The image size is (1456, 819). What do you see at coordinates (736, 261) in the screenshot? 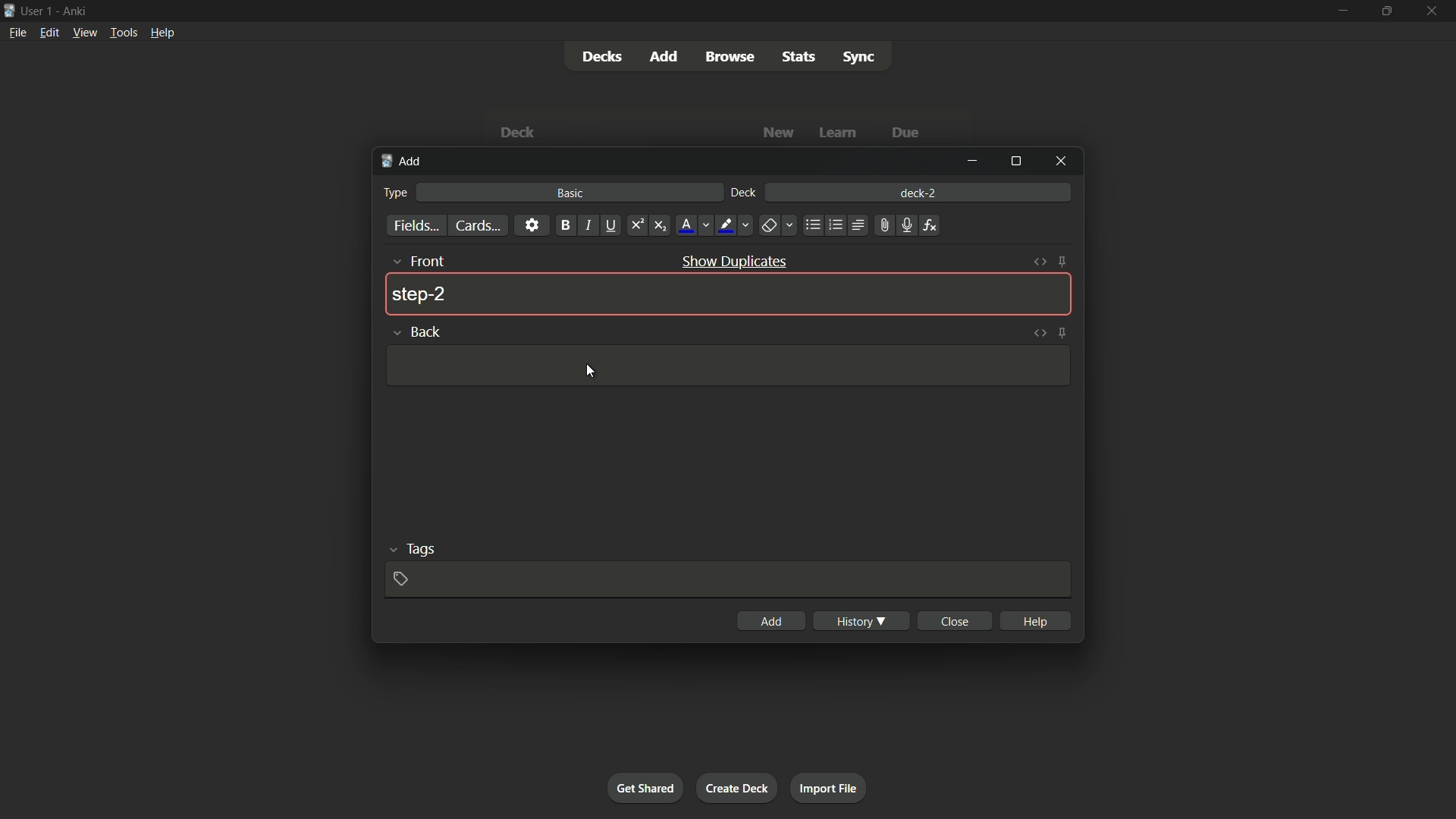
I see `show duplicates` at bounding box center [736, 261].